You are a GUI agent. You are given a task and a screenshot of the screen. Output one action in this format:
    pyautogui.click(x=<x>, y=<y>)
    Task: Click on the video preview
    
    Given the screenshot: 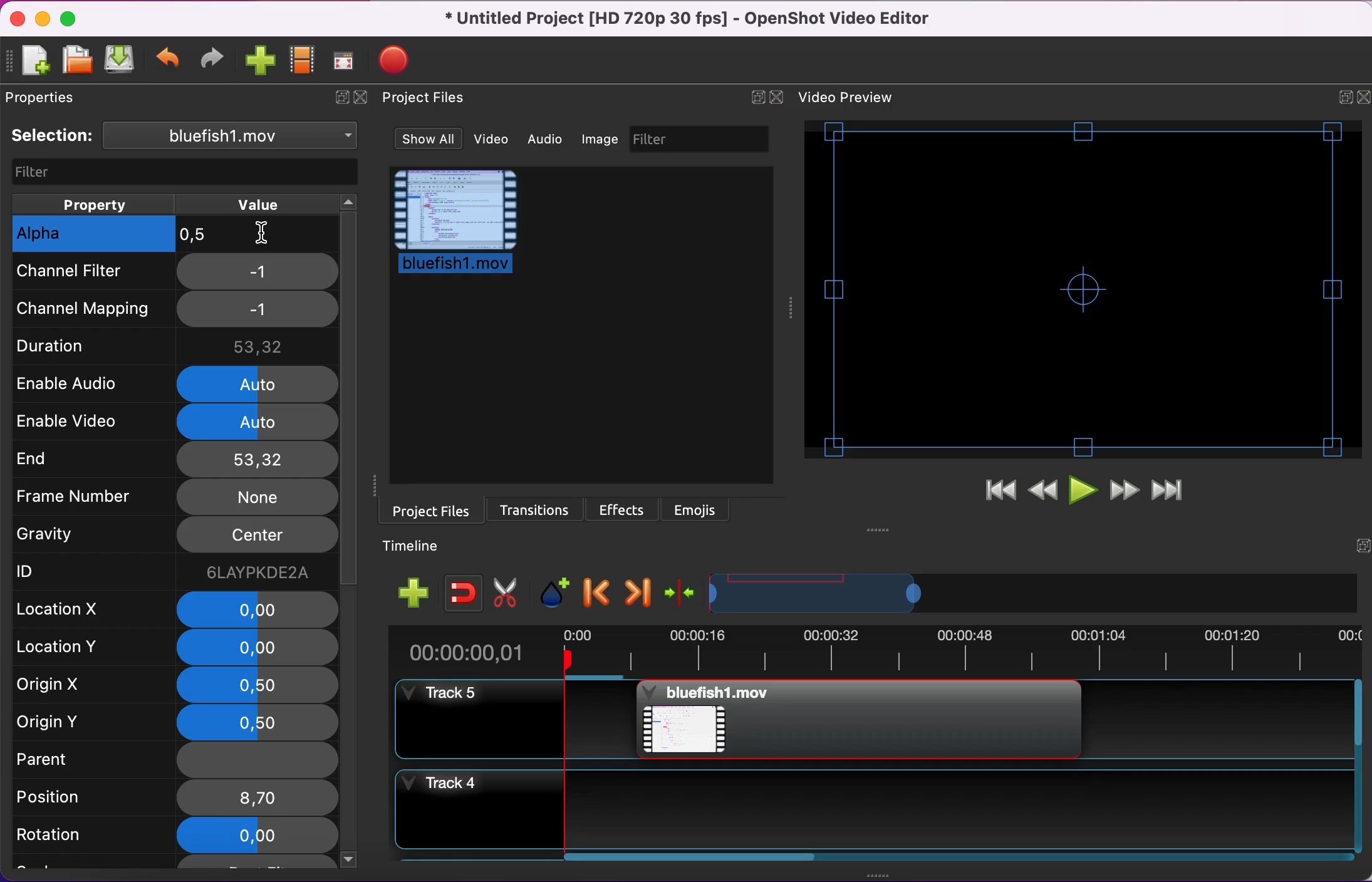 What is the action you would take?
    pyautogui.click(x=1084, y=288)
    